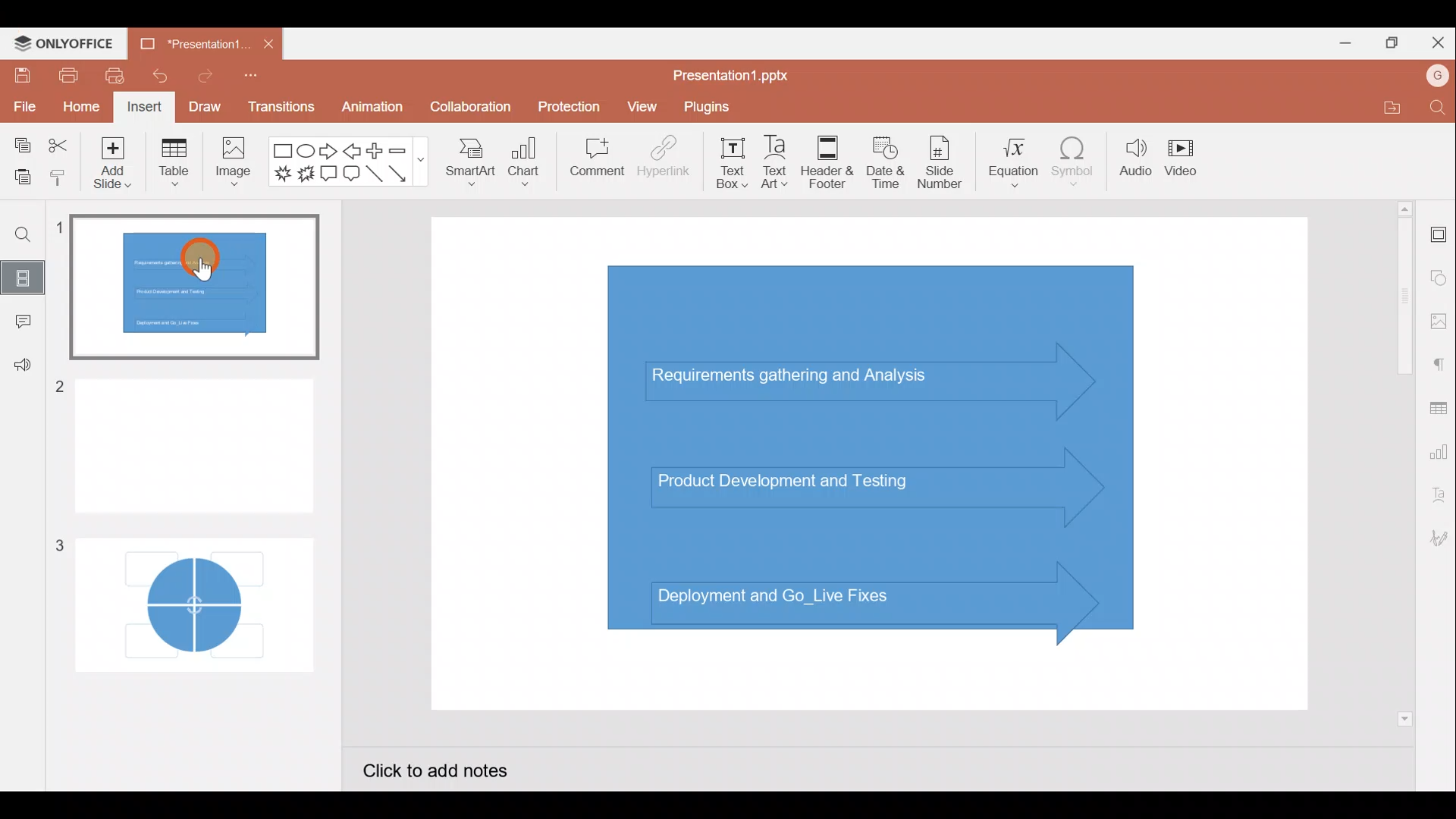 This screenshot has height=819, width=1456. What do you see at coordinates (780, 163) in the screenshot?
I see `Text Art` at bounding box center [780, 163].